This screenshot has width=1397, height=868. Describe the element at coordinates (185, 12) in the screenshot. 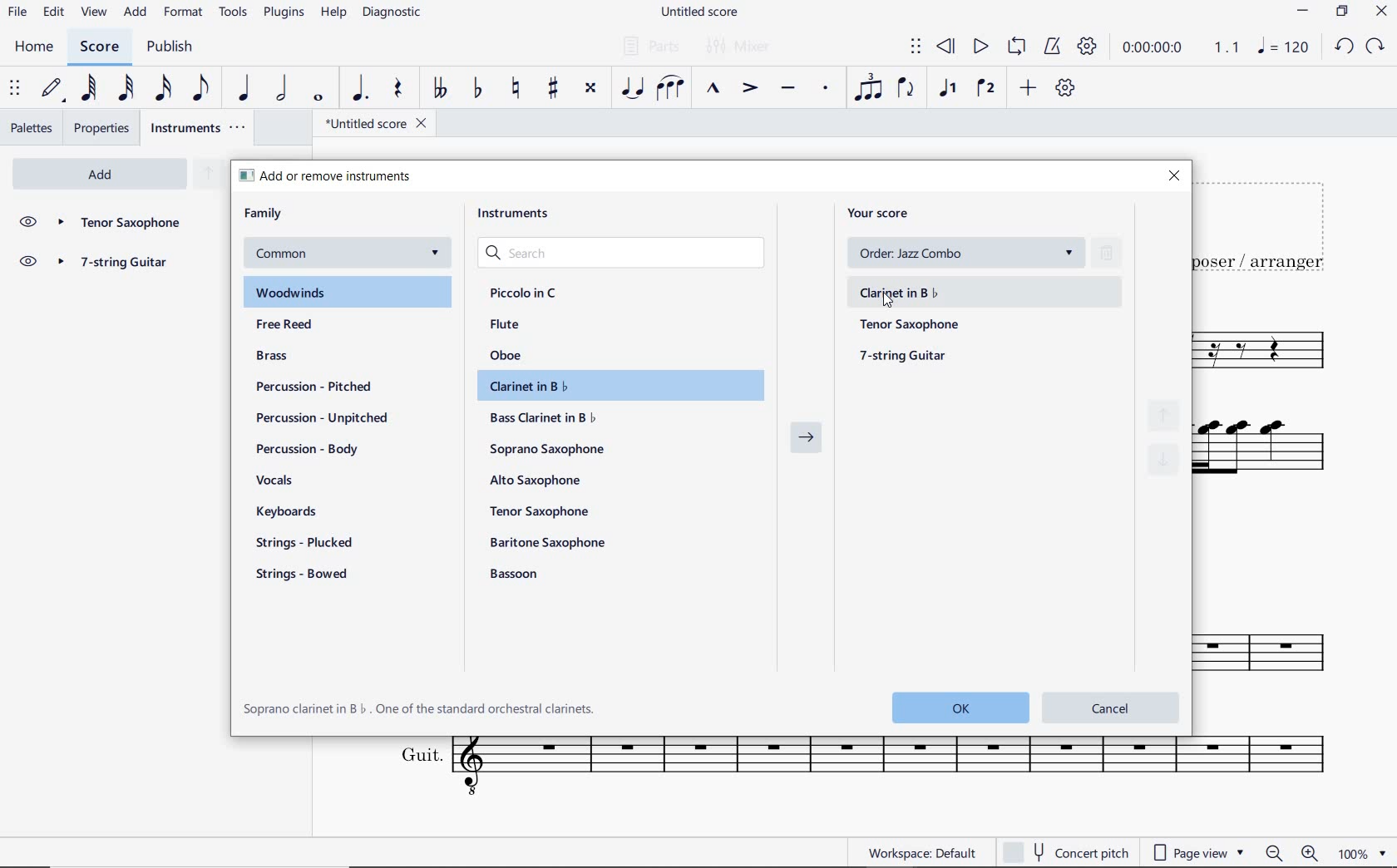

I see `FORMAT` at that location.